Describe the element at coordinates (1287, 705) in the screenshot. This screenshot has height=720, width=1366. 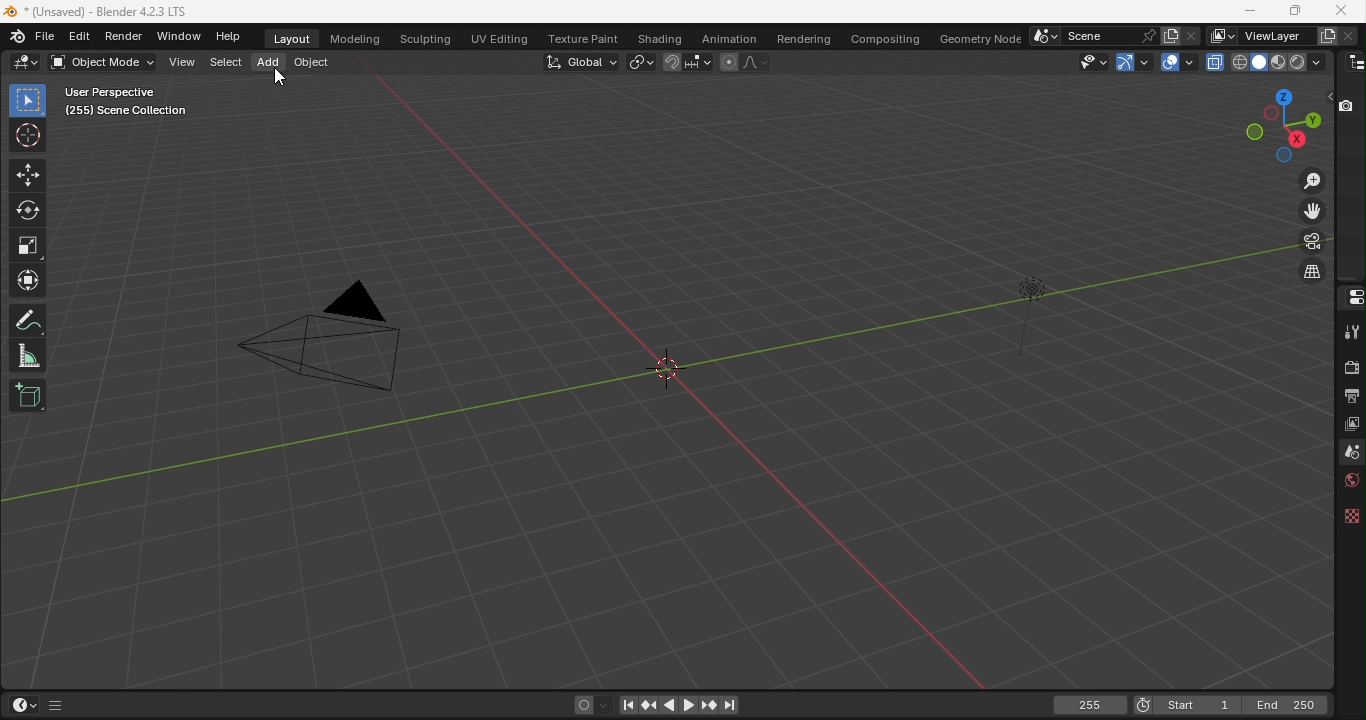
I see `Last frame of playback/rendering range` at that location.